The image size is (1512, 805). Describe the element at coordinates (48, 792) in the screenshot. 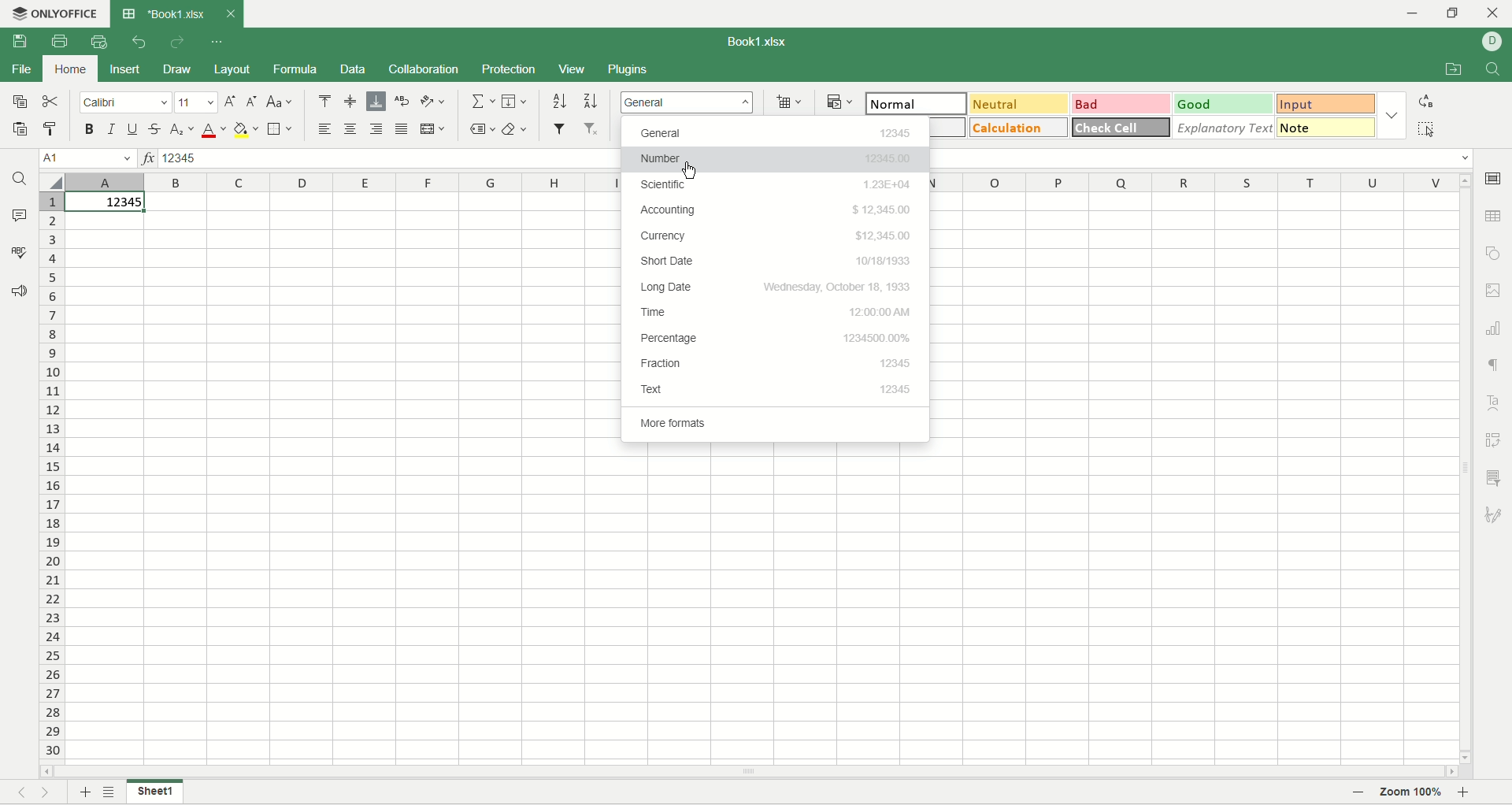

I see `nest` at that location.